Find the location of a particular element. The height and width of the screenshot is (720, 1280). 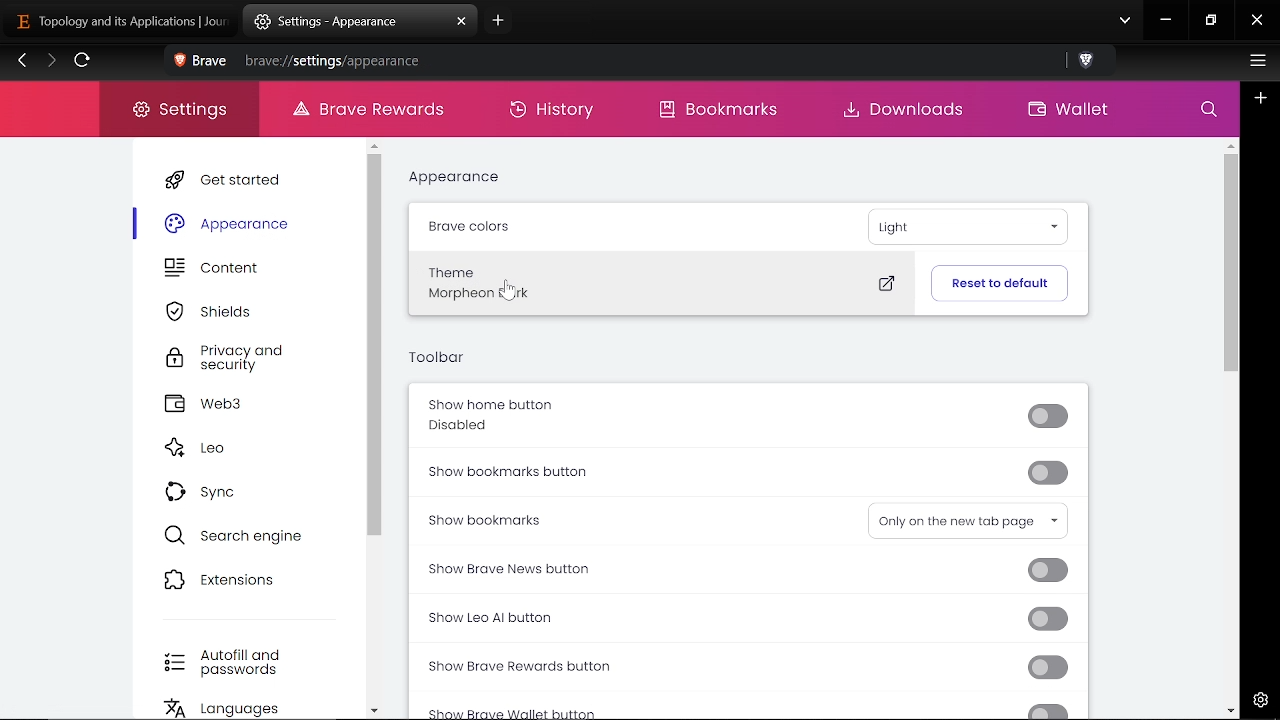

Appearance is located at coordinates (453, 177).